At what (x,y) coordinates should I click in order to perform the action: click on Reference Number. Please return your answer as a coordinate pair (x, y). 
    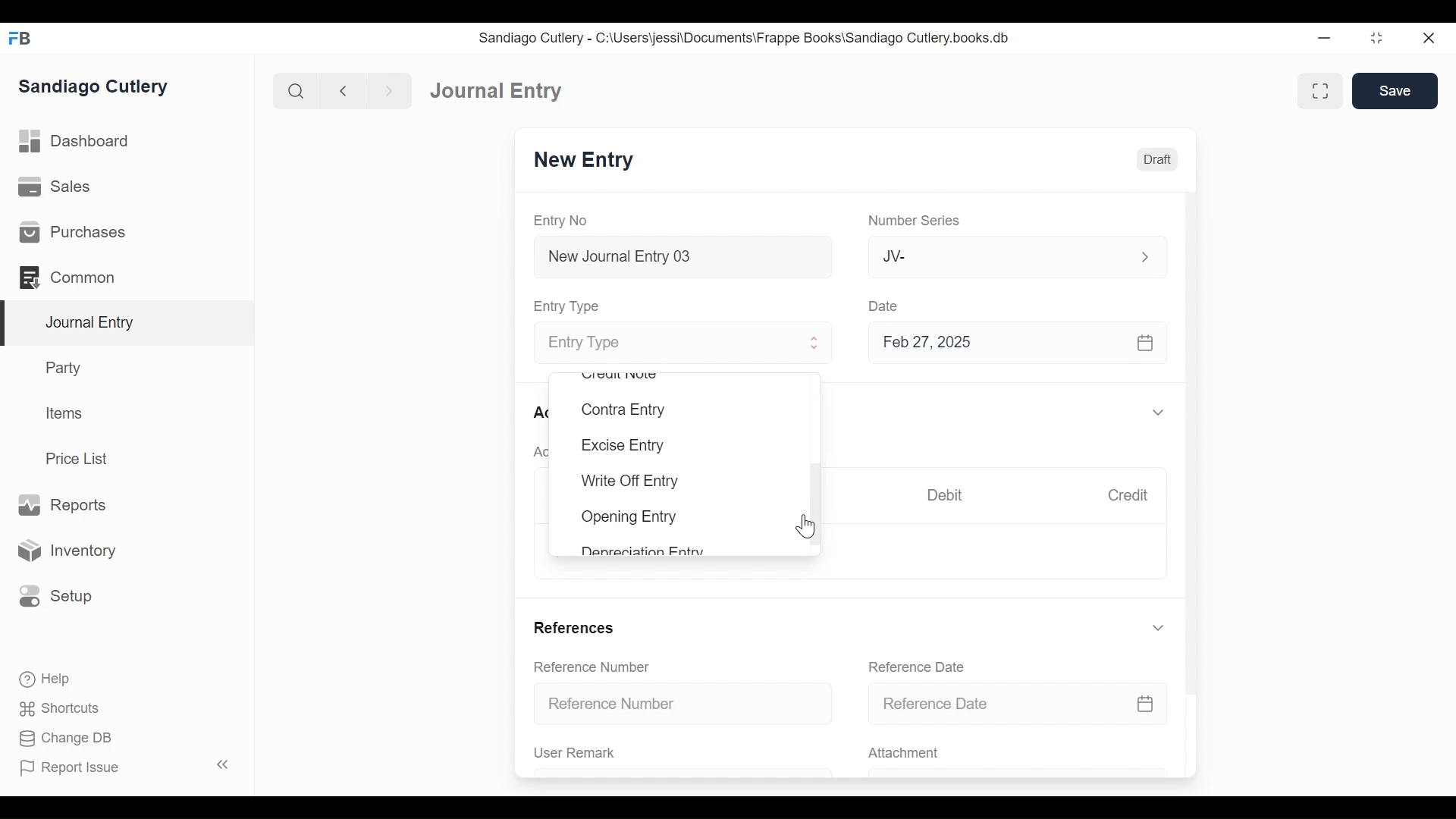
    Looking at the image, I should click on (679, 706).